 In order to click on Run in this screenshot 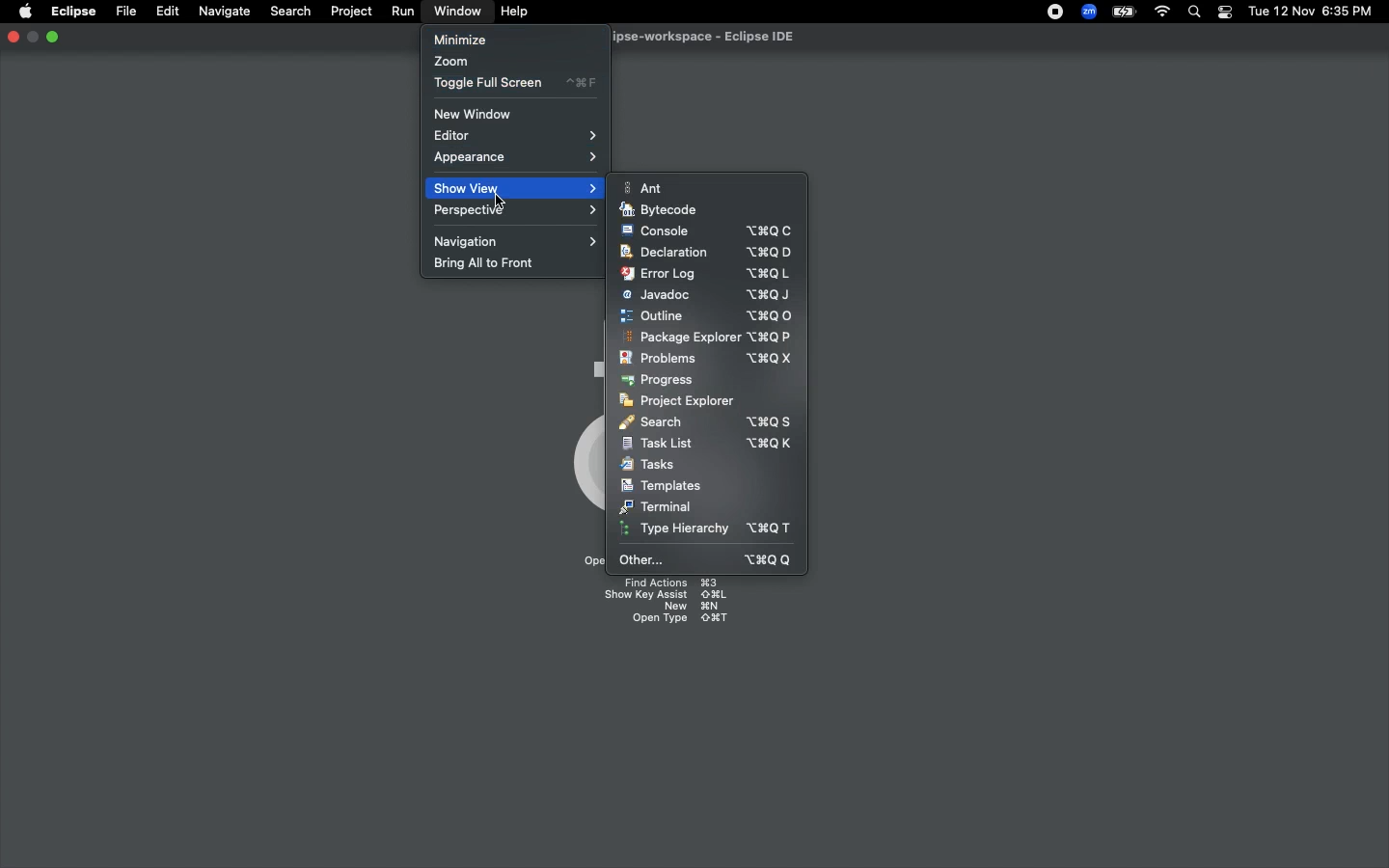, I will do `click(404, 12)`.